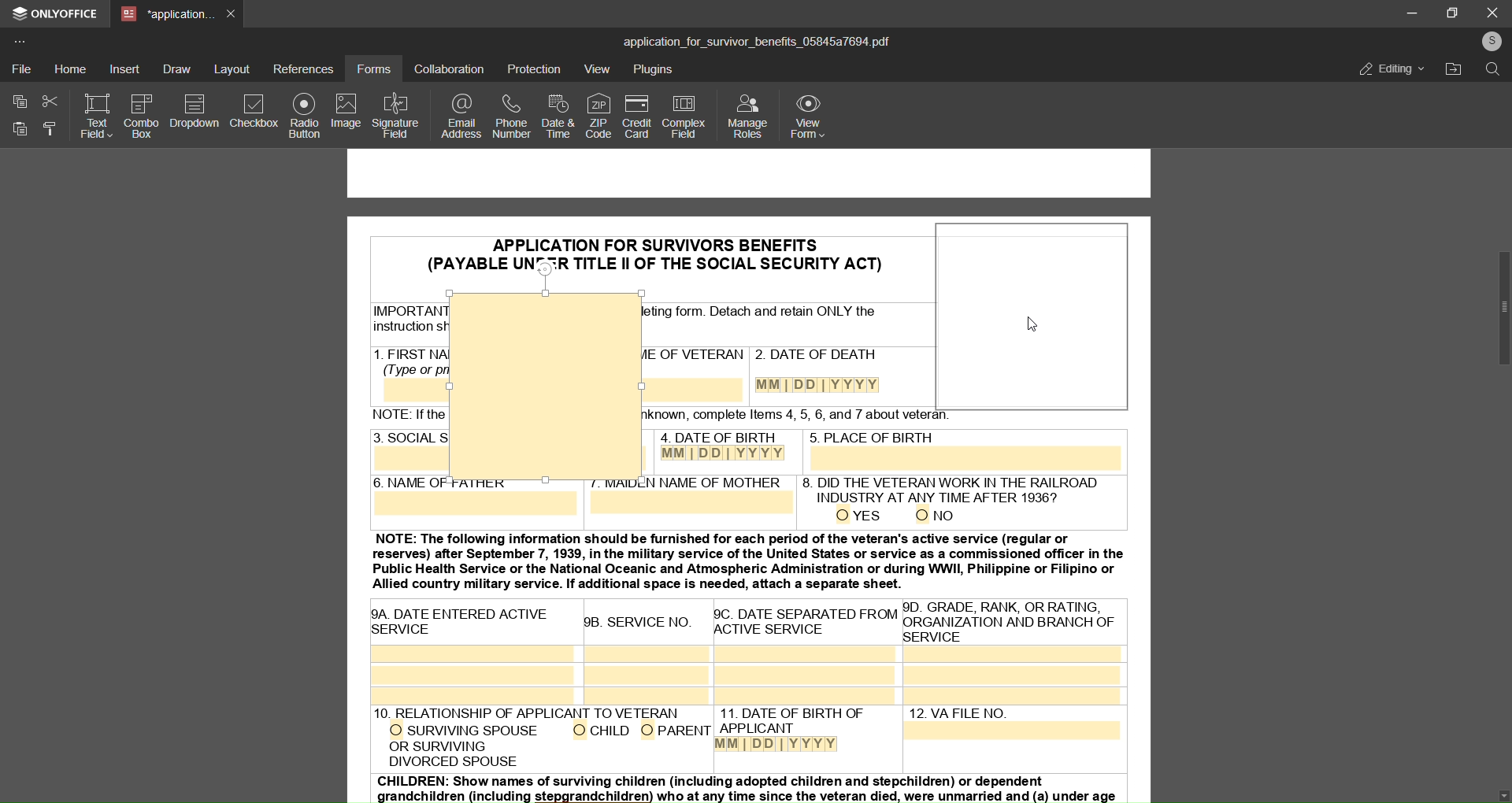 This screenshot has width=1512, height=803. What do you see at coordinates (373, 68) in the screenshot?
I see `forms` at bounding box center [373, 68].